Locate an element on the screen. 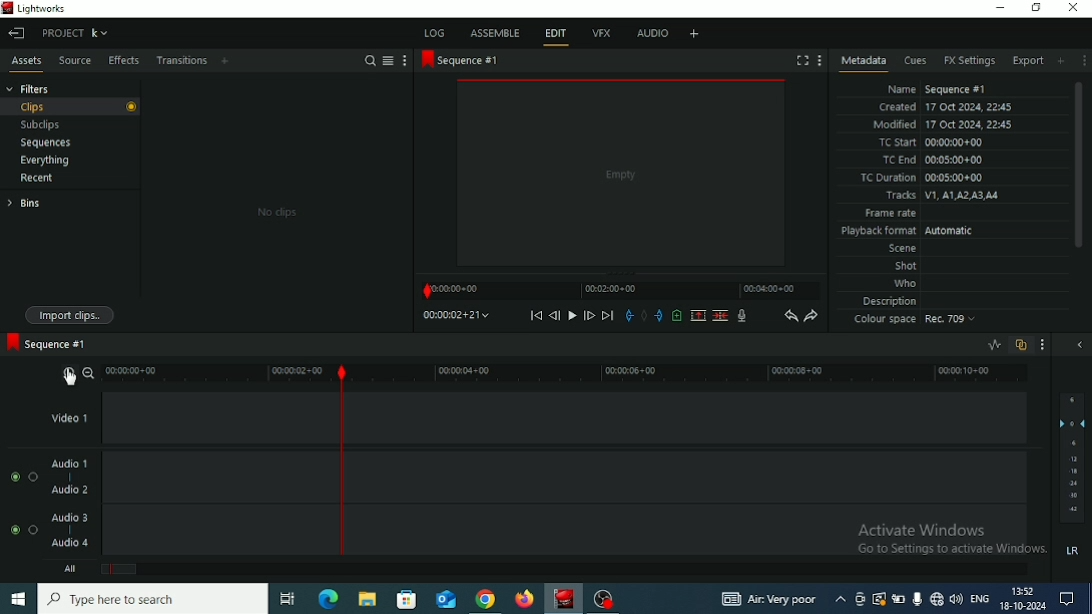  Import clips is located at coordinates (72, 315).